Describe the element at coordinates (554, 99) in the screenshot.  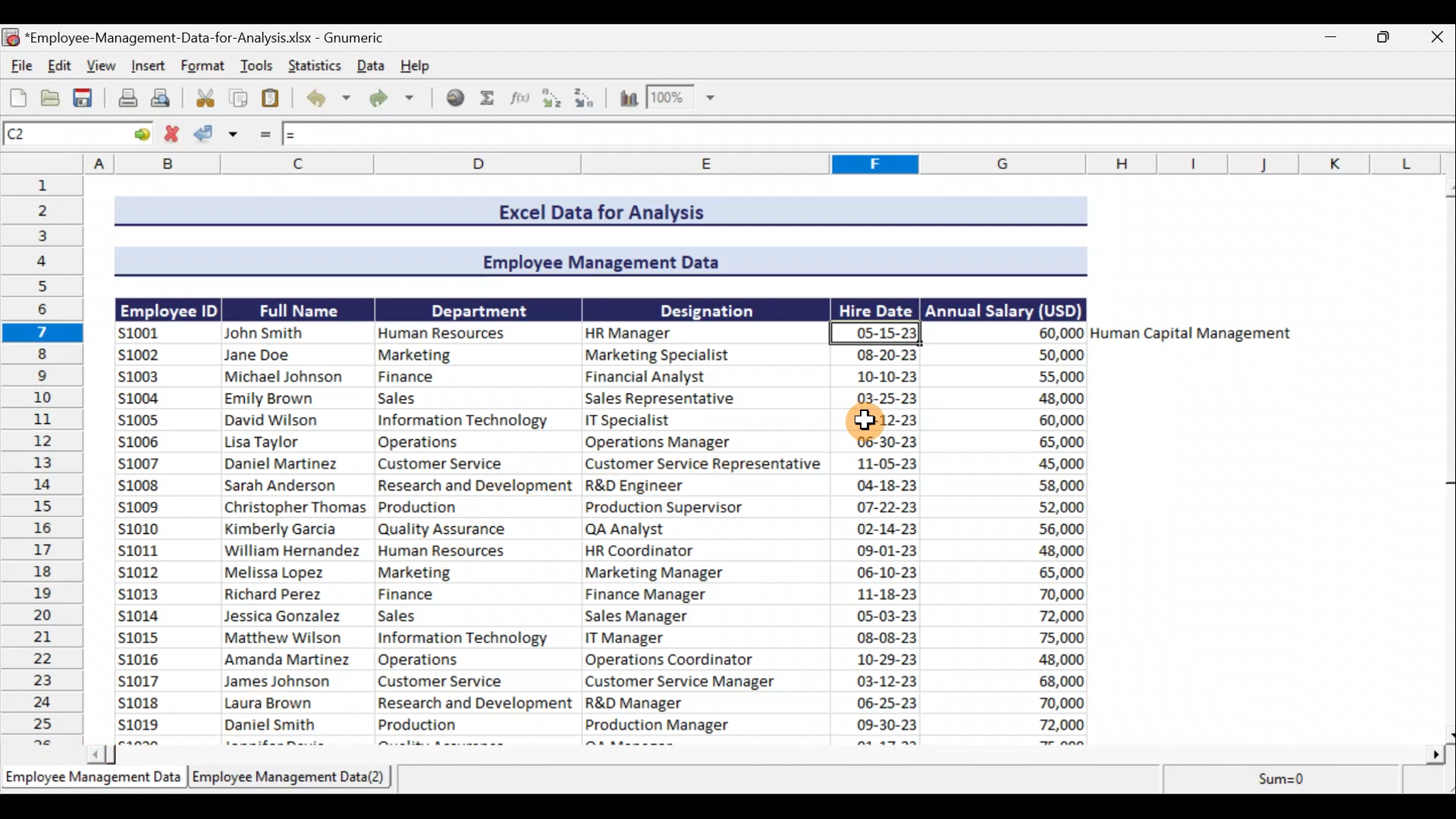
I see `Sort Ascending` at that location.